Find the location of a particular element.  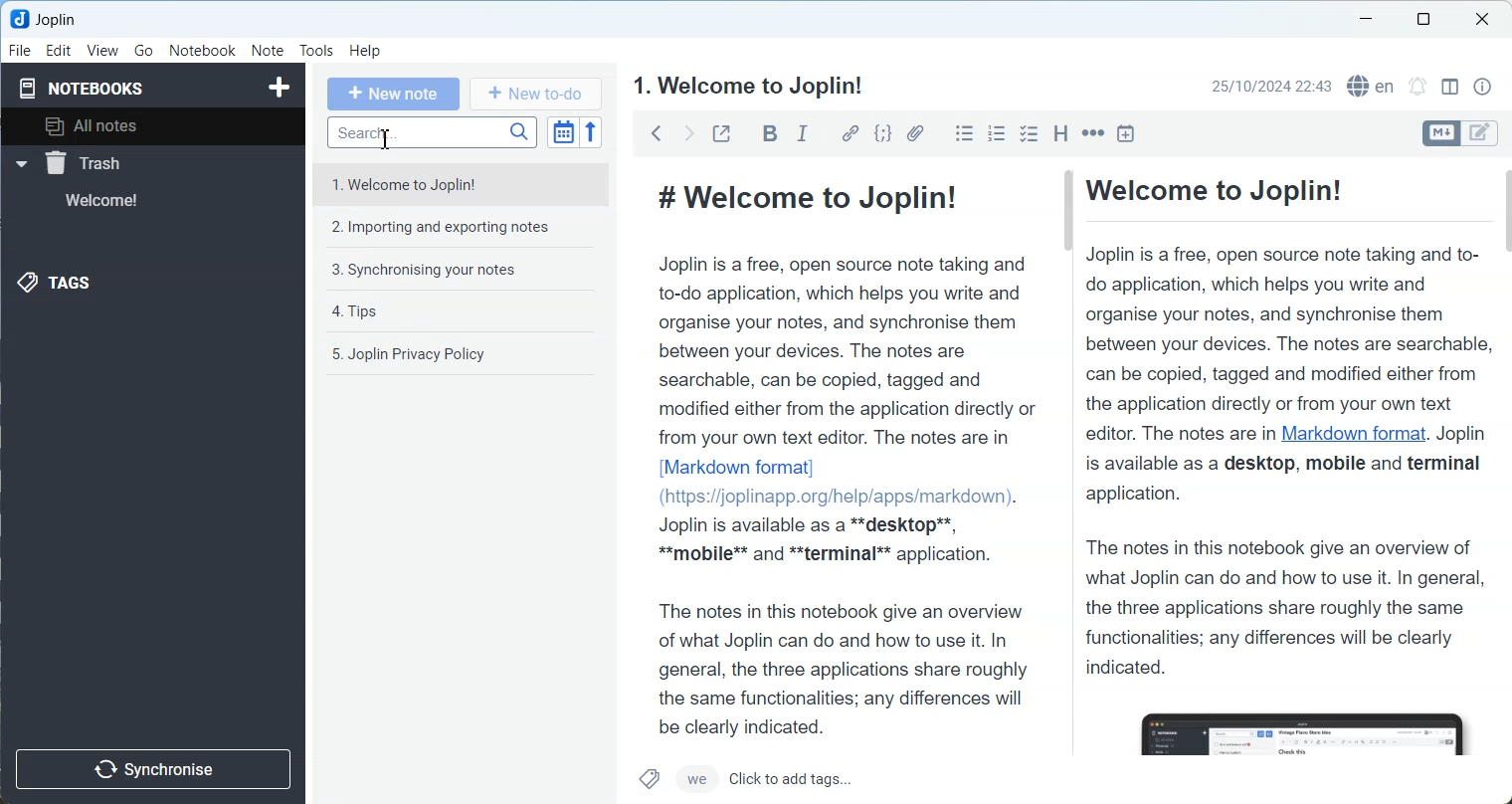

notebooks is located at coordinates (88, 87).